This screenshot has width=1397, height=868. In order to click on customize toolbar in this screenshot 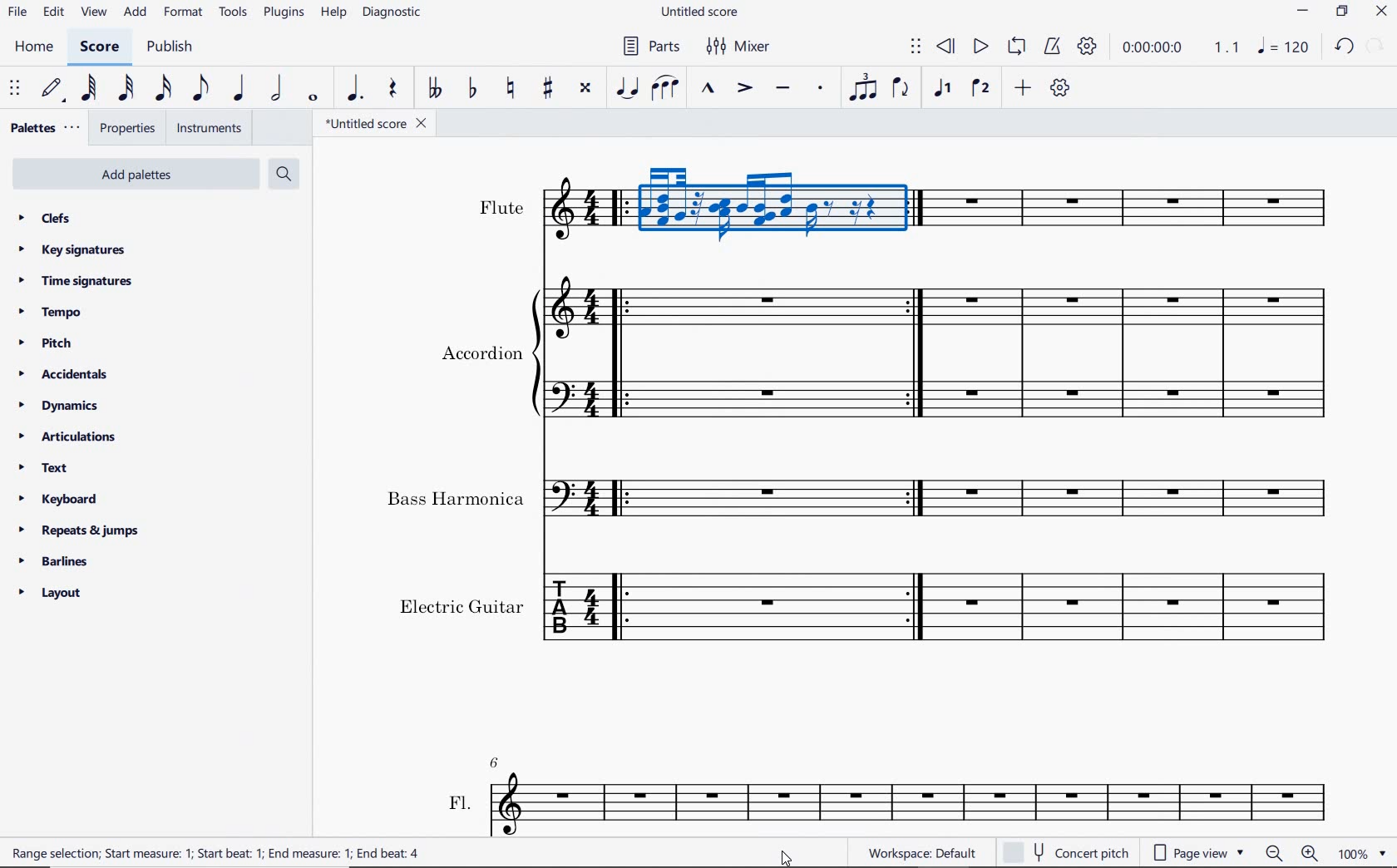, I will do `click(1061, 87)`.